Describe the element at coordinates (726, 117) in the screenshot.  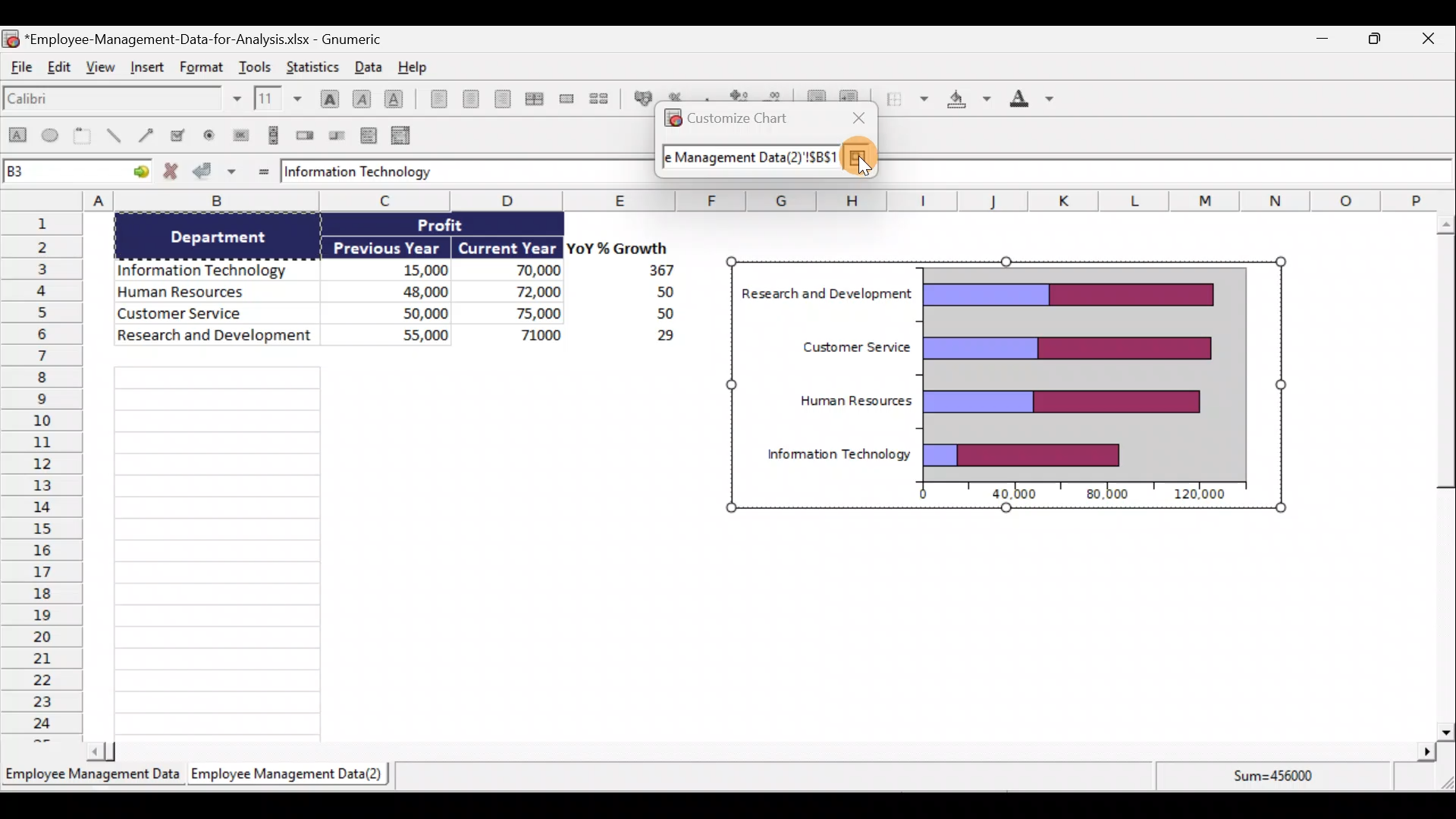
I see `customize chart` at that location.